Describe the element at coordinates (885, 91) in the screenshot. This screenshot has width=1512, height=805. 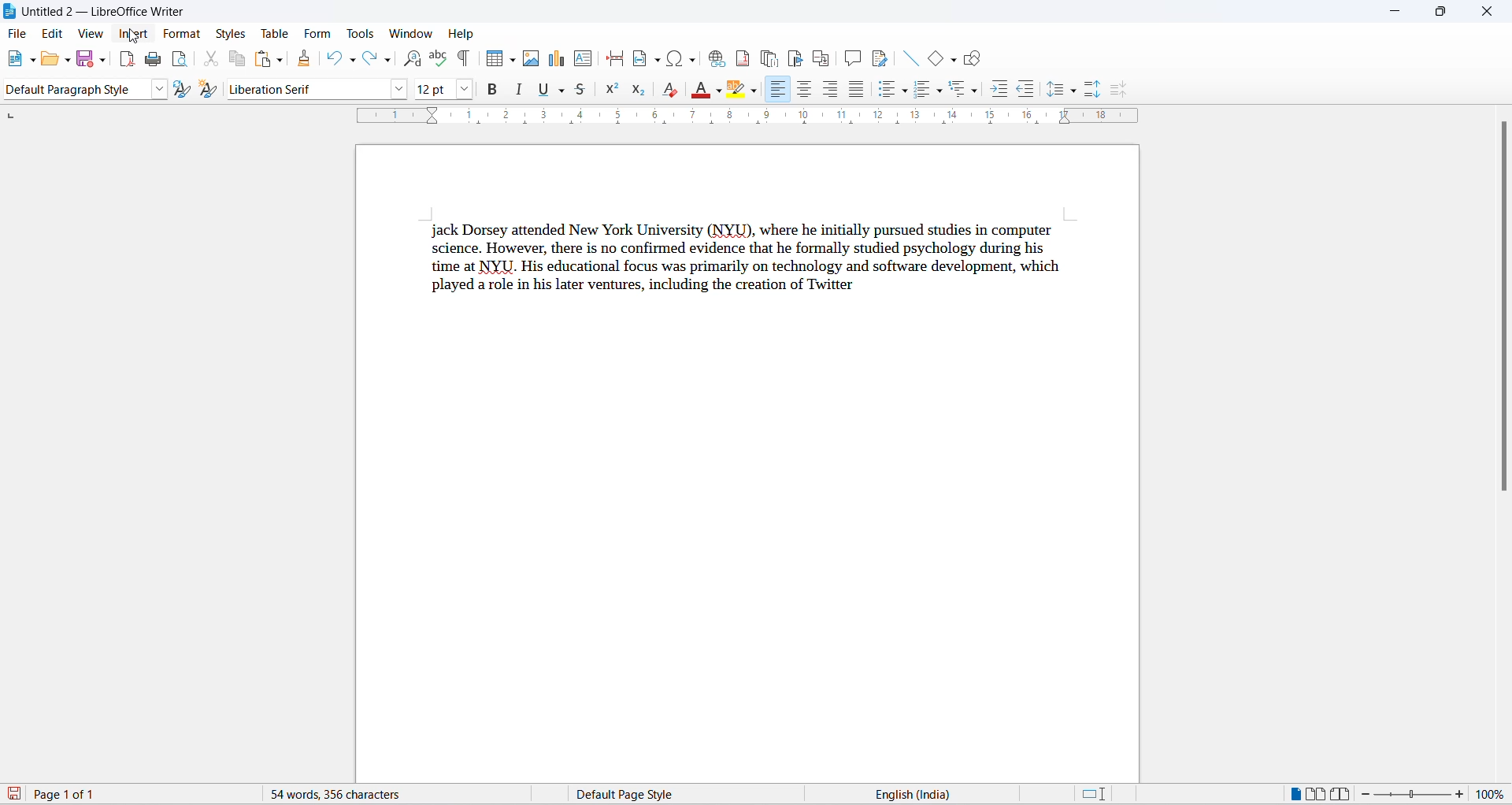
I see `toggle unordered list` at that location.